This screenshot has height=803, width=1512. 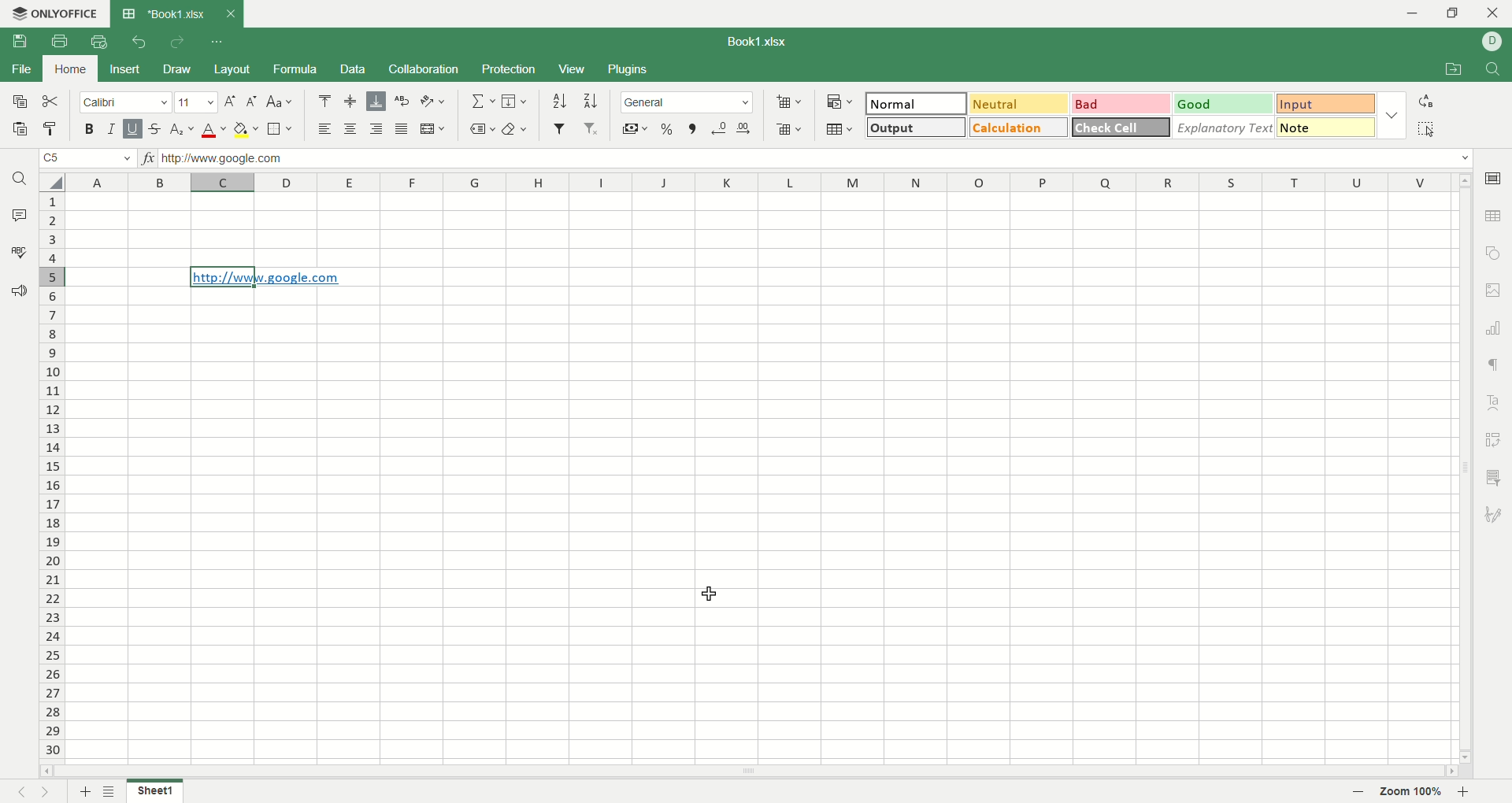 What do you see at coordinates (50, 182) in the screenshot?
I see `select all` at bounding box center [50, 182].